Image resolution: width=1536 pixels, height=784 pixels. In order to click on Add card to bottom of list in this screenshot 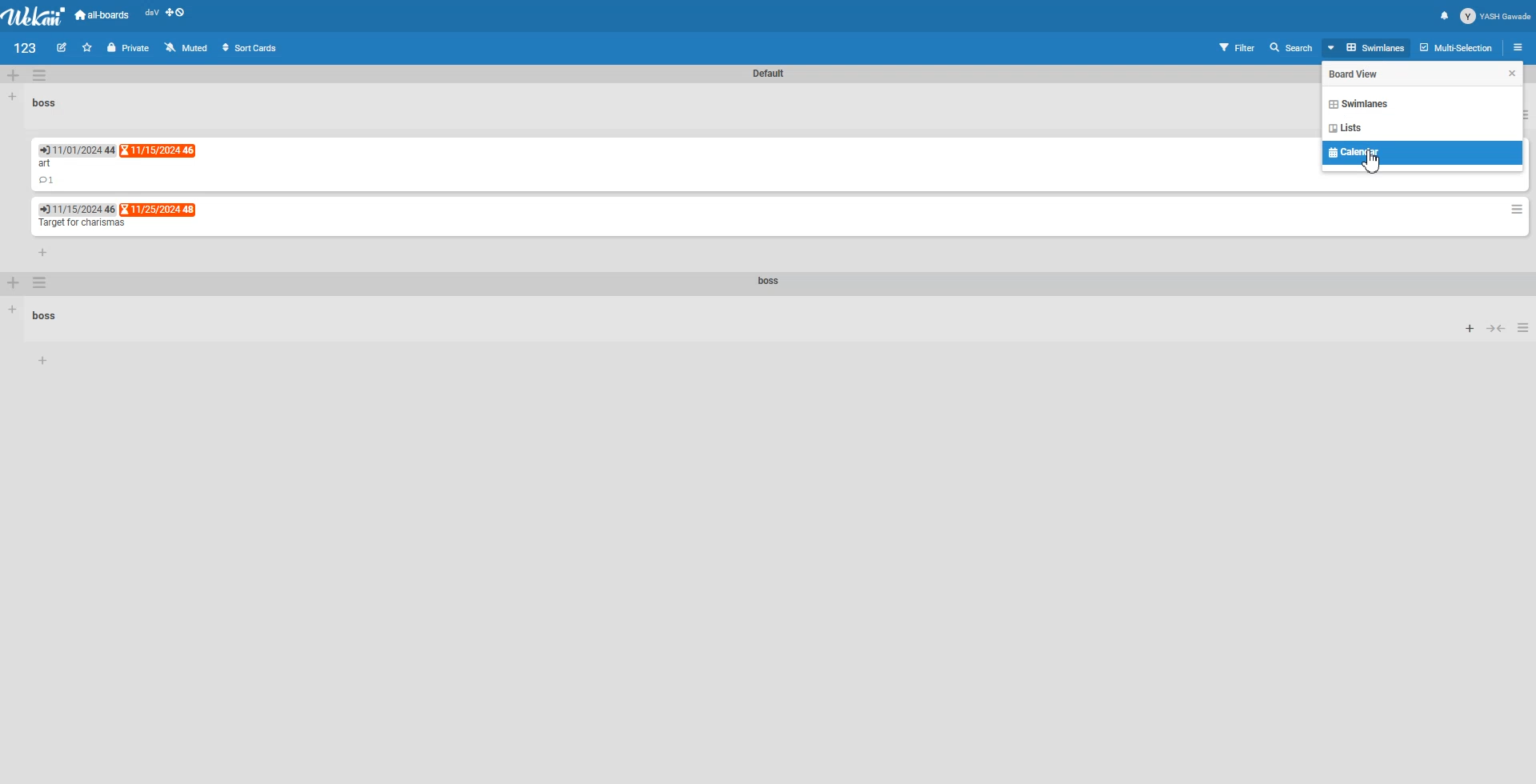, I will do `click(43, 251)`.